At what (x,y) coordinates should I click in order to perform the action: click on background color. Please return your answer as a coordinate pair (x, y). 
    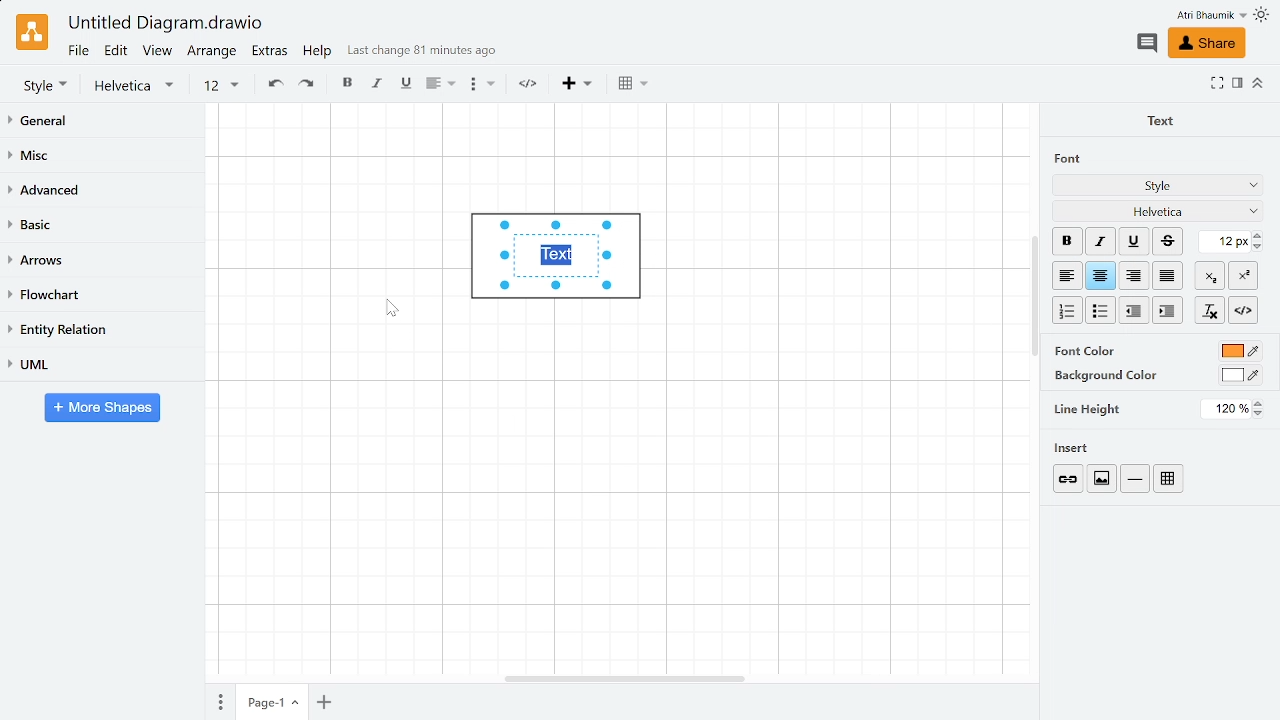
    Looking at the image, I should click on (1104, 375).